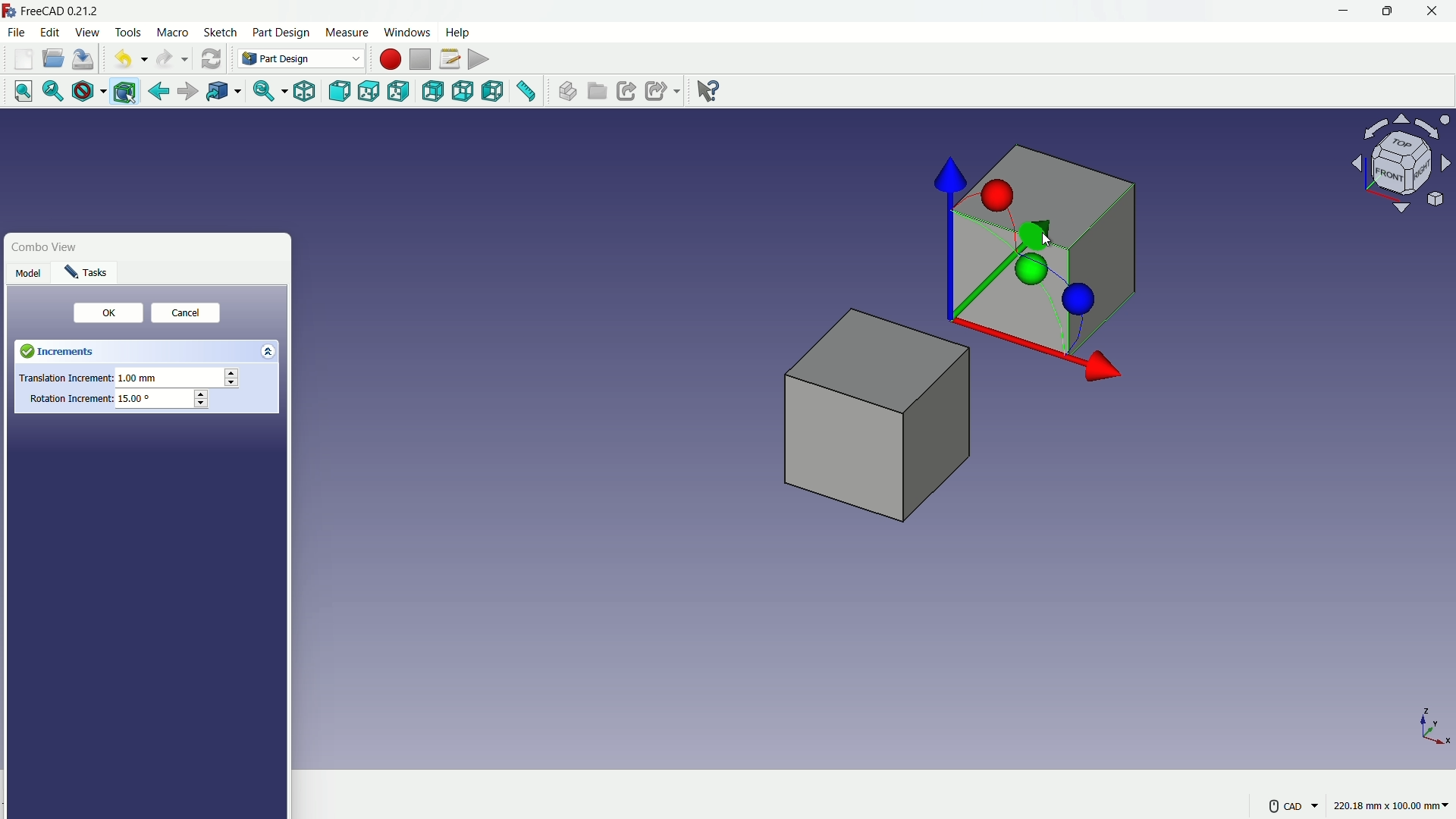 Image resolution: width=1456 pixels, height=819 pixels. I want to click on file, so click(16, 31).